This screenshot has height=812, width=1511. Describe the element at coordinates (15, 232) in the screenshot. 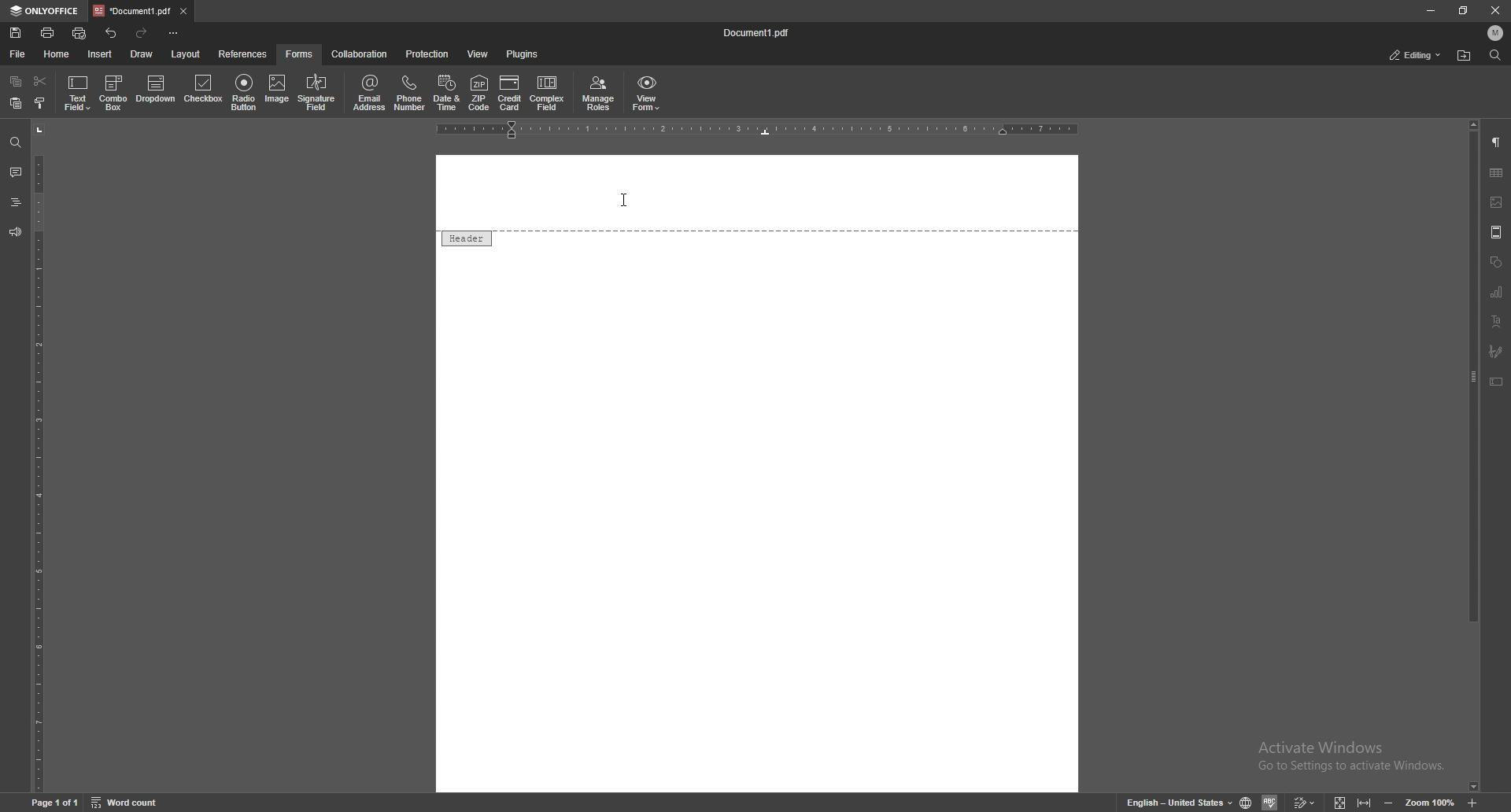

I see `feedback` at that location.